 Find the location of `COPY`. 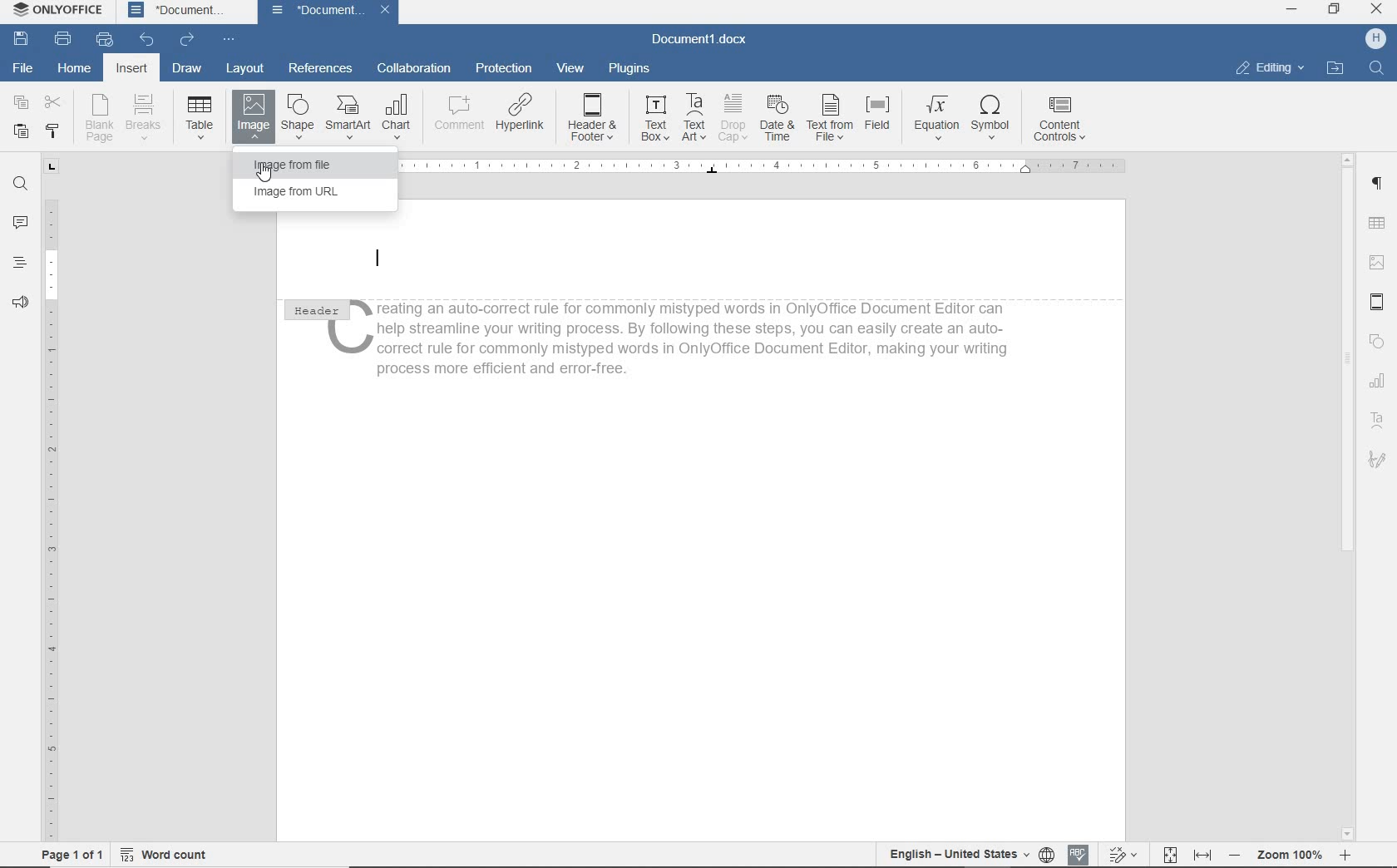

COPY is located at coordinates (22, 102).